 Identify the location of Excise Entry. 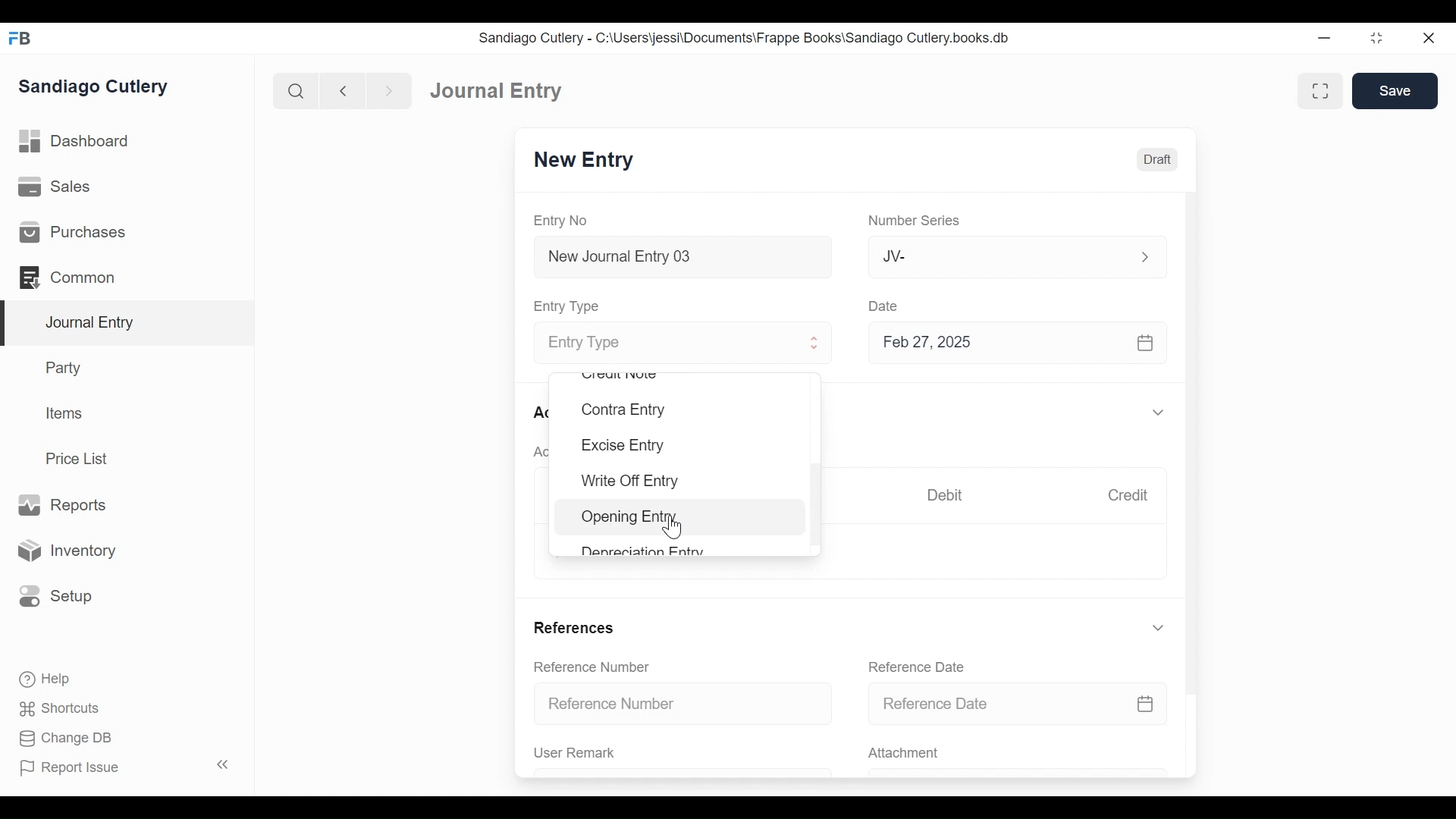
(624, 445).